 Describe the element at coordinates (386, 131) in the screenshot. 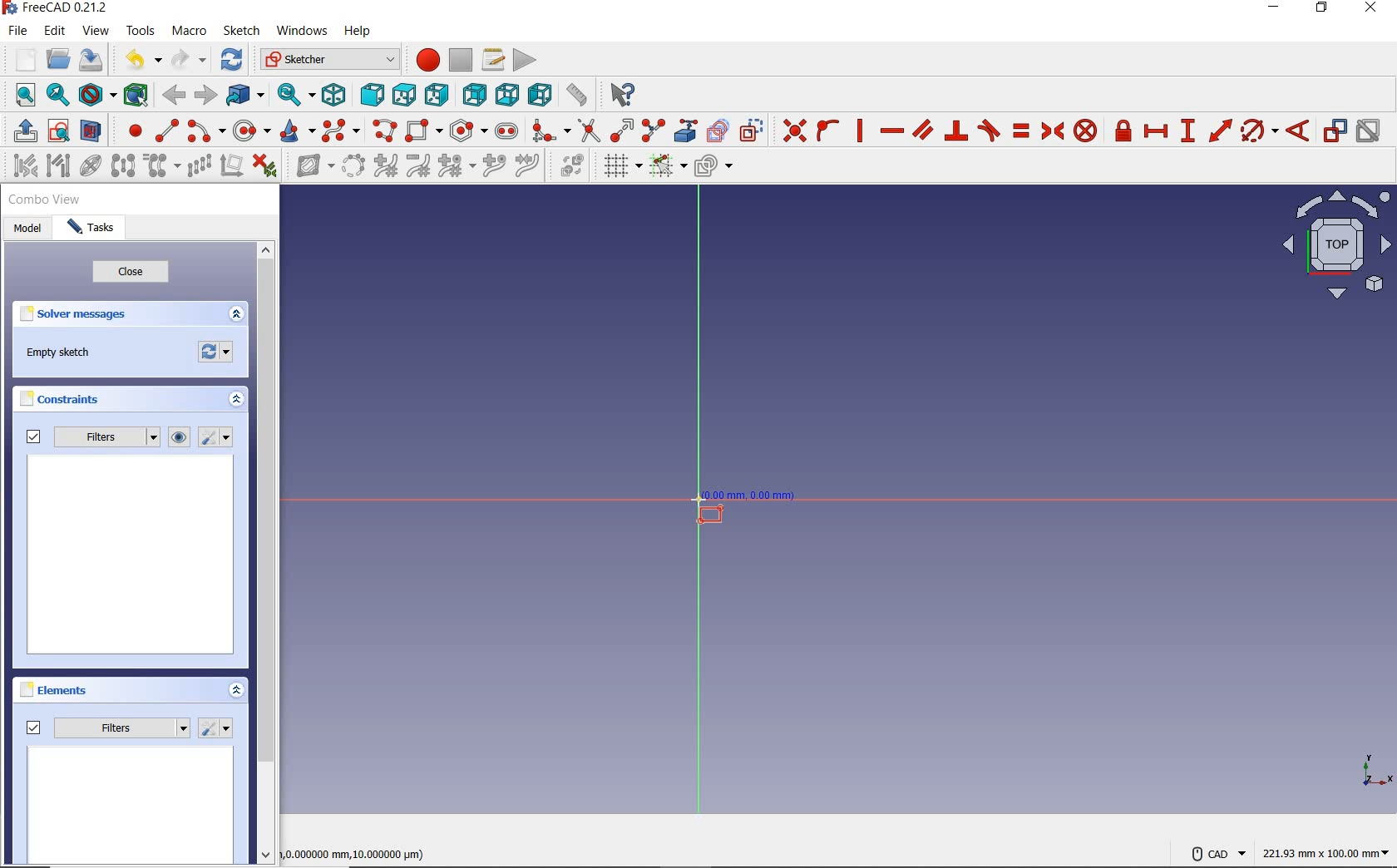

I see `create polyline` at that location.